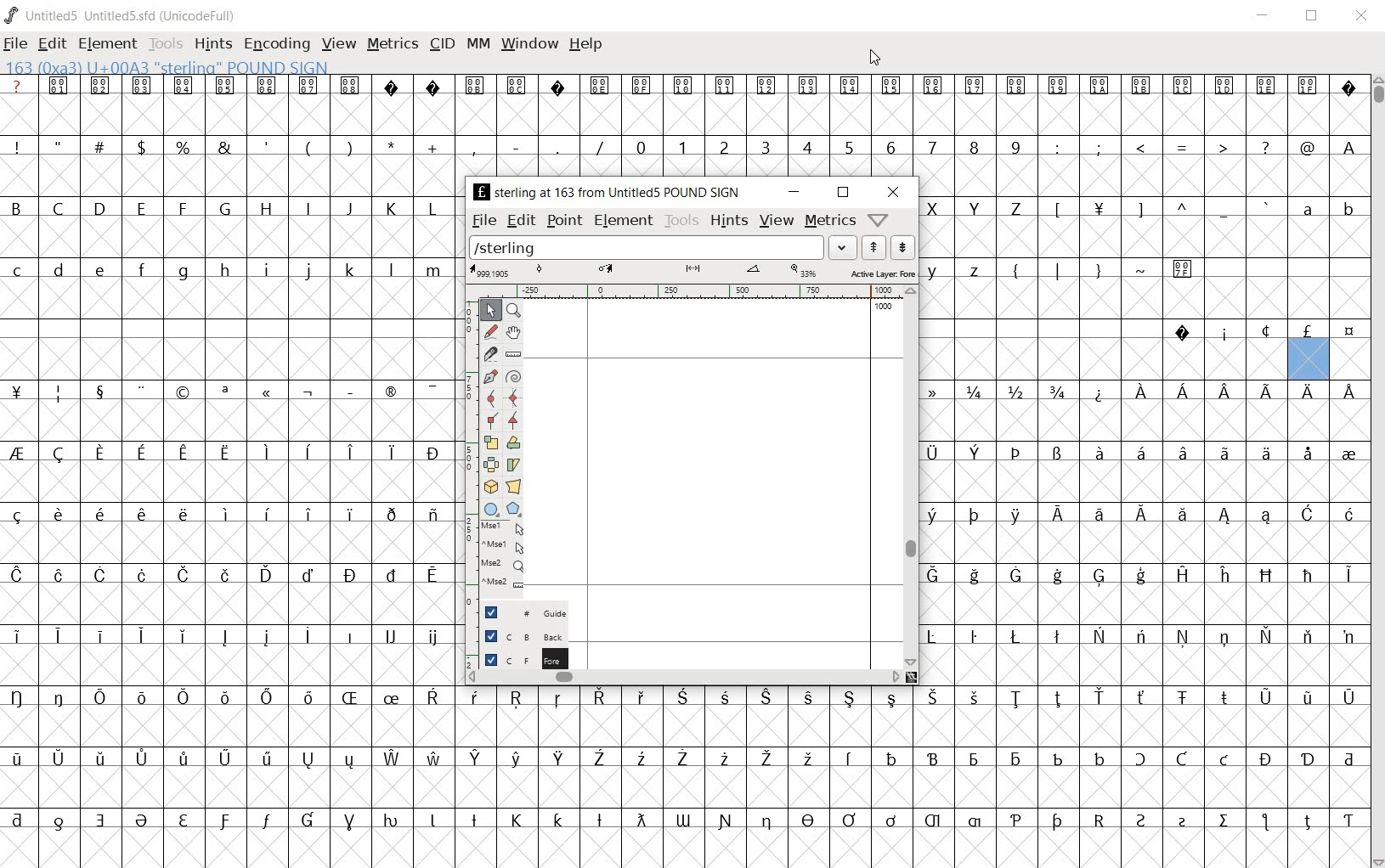 This screenshot has height=868, width=1385. What do you see at coordinates (973, 148) in the screenshot?
I see `8` at bounding box center [973, 148].